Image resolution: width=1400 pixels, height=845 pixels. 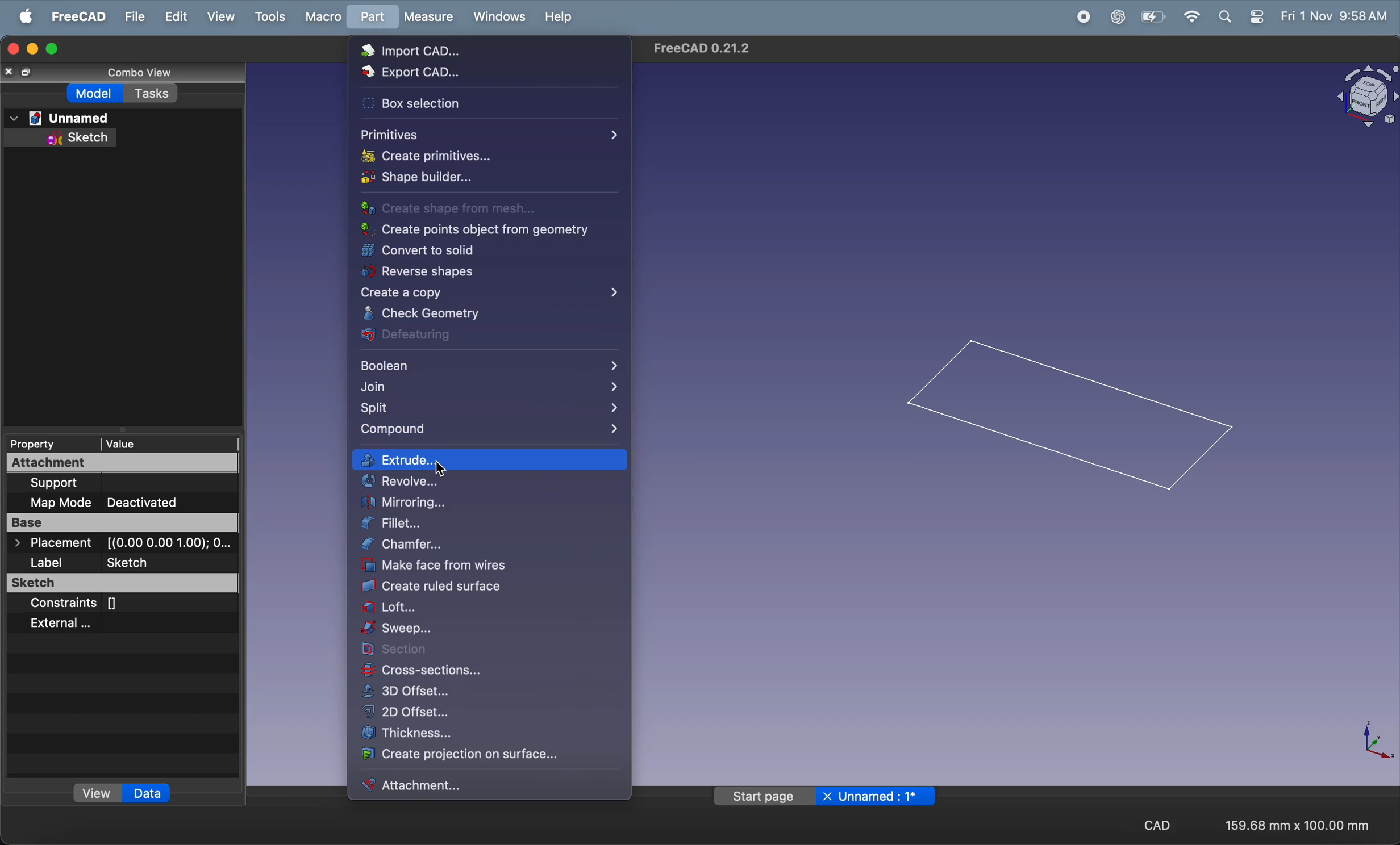 I want to click on loft, so click(x=489, y=610).